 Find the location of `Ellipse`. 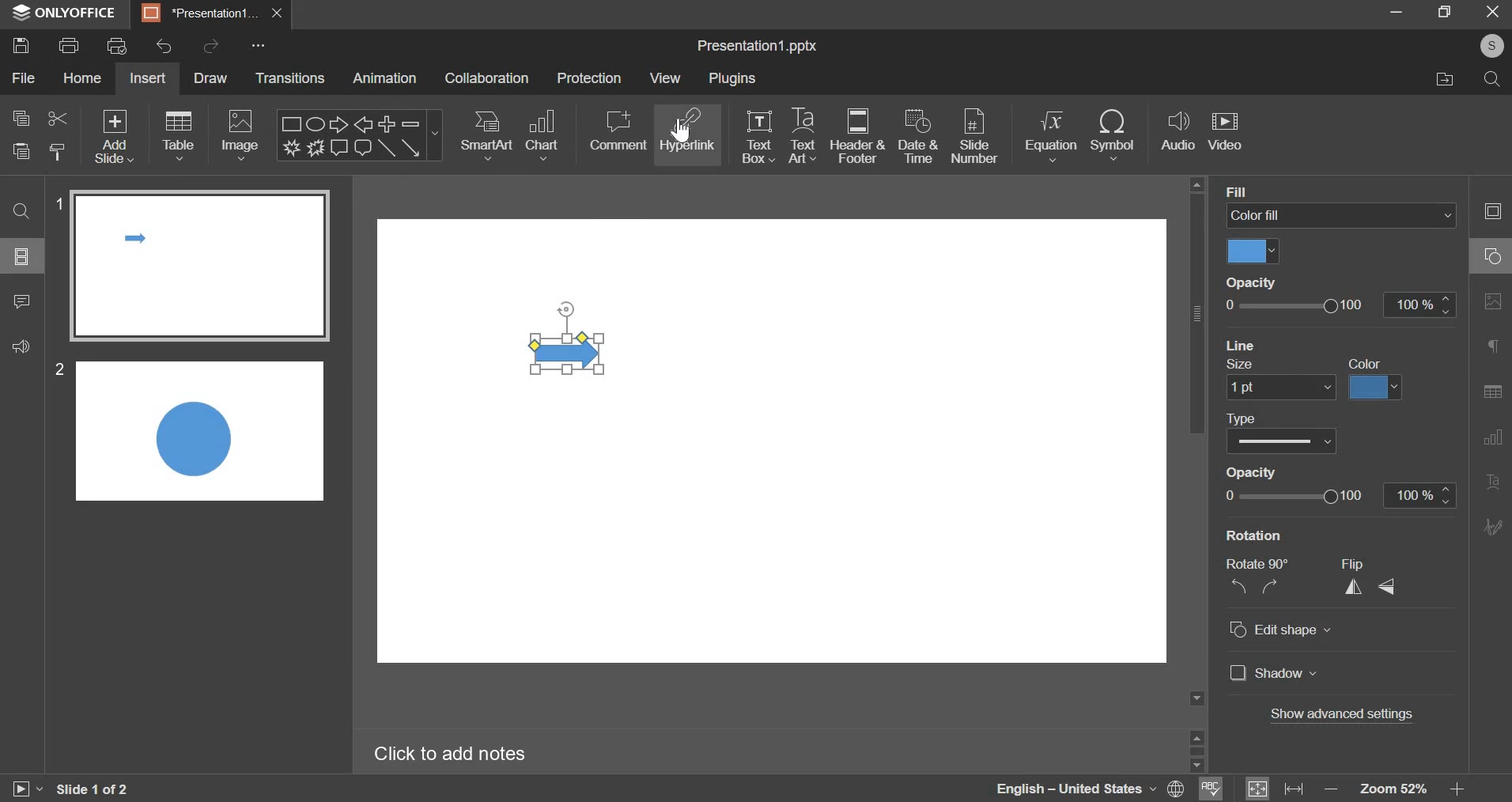

Ellipse is located at coordinates (316, 123).